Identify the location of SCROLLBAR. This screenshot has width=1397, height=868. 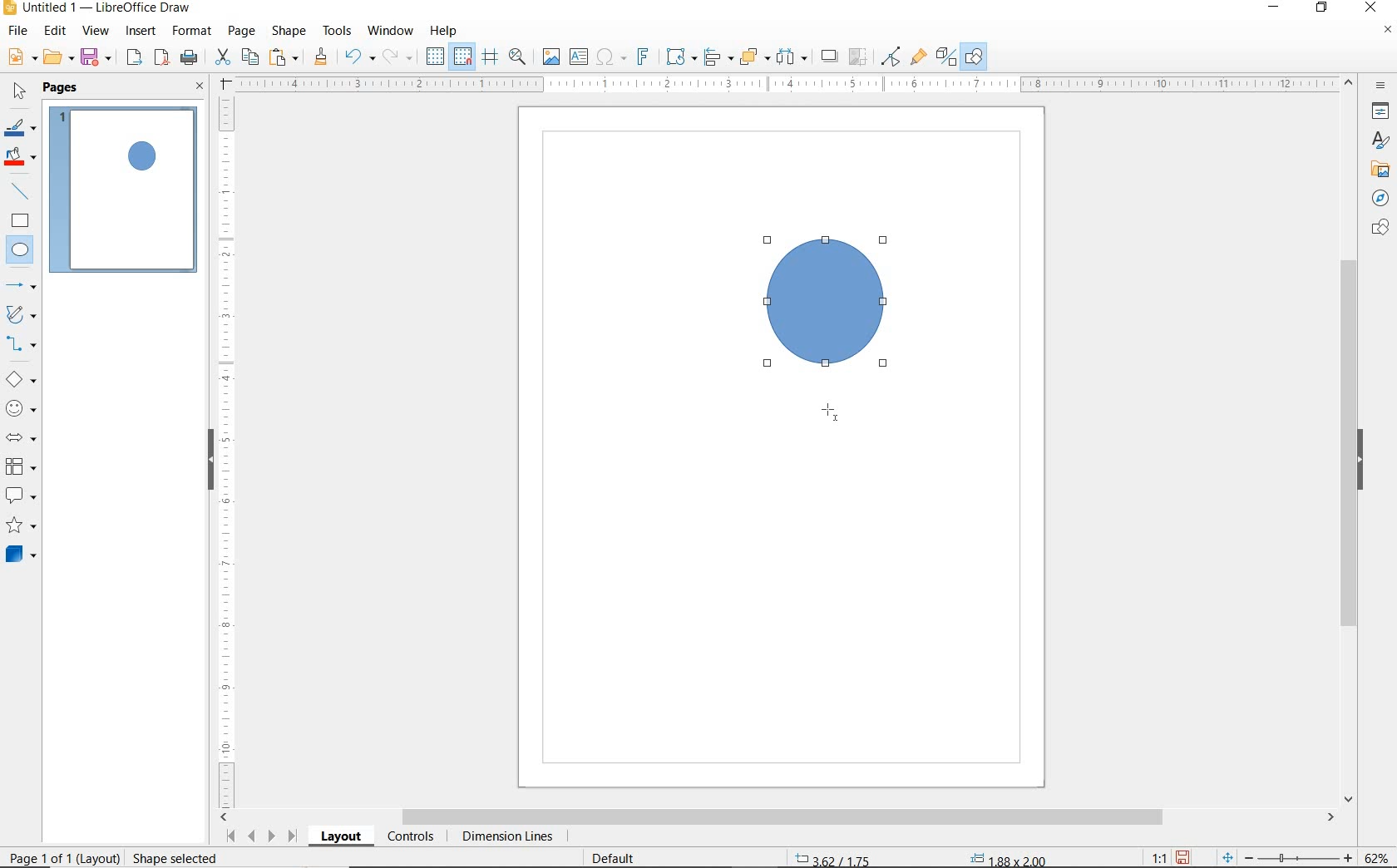
(1349, 441).